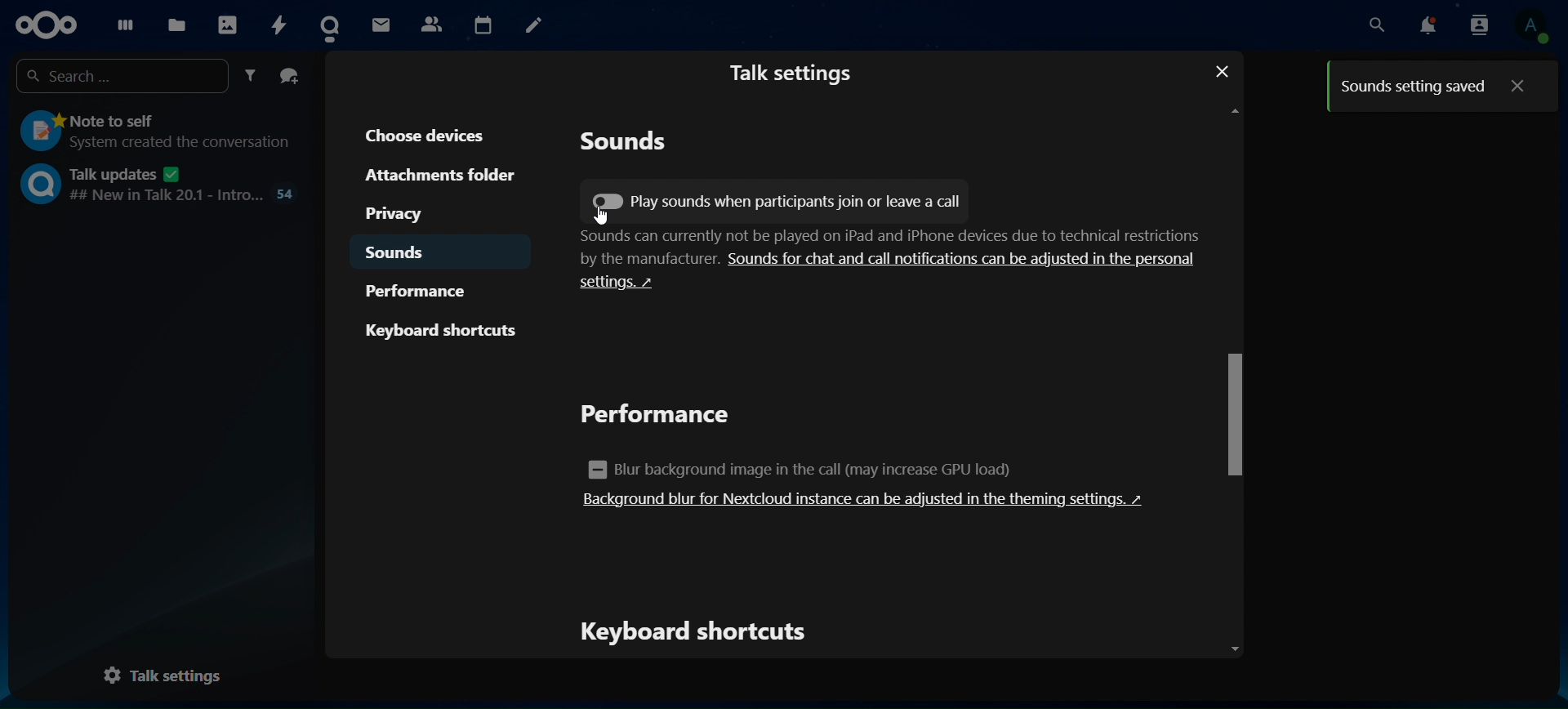 Image resolution: width=1568 pixels, height=709 pixels. Describe the element at coordinates (1429, 26) in the screenshot. I see `notifications` at that location.